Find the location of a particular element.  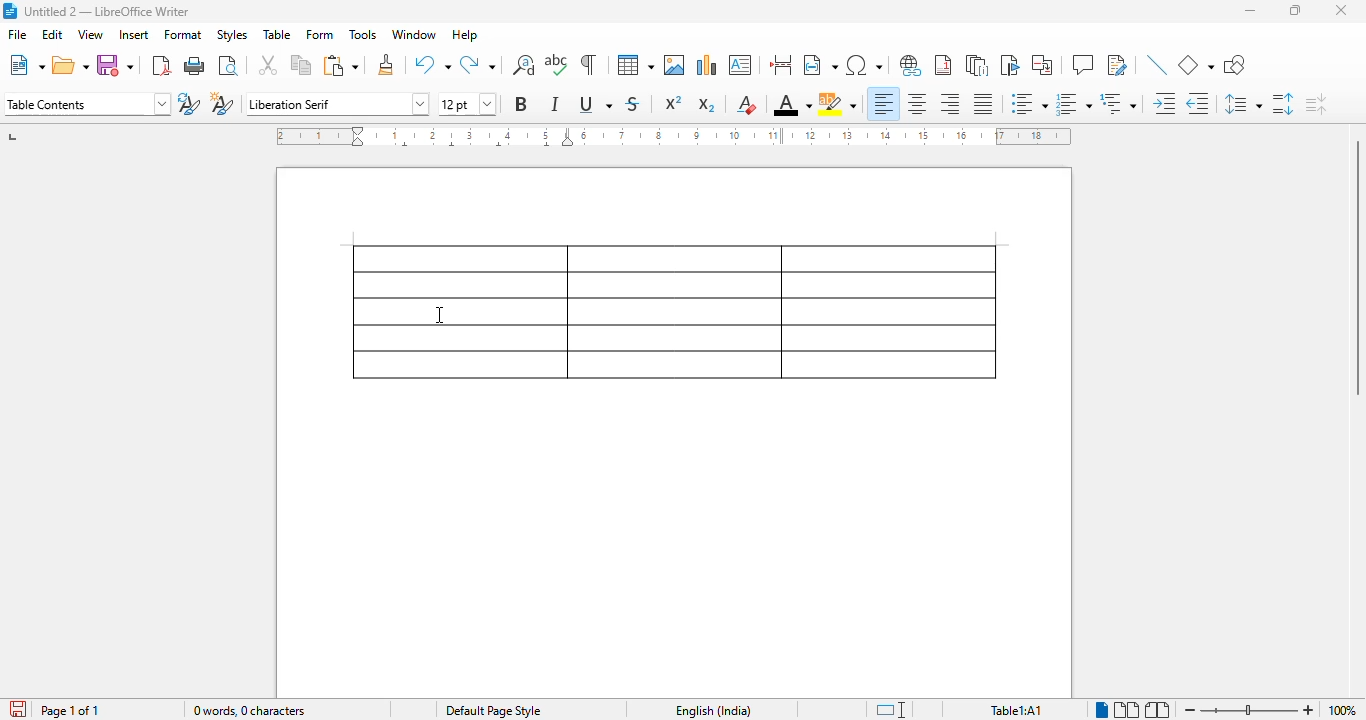

book view is located at coordinates (1158, 710).